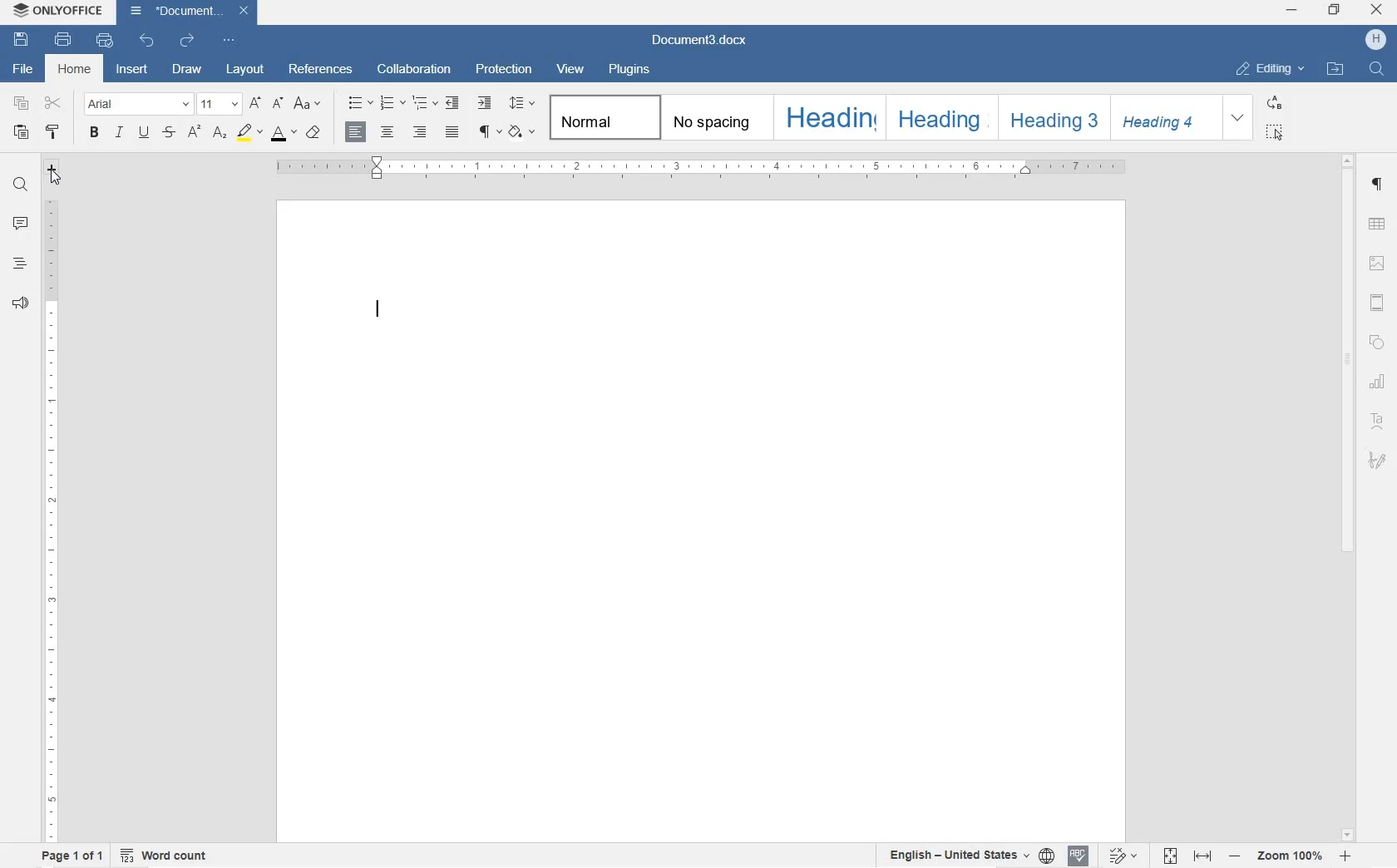  Describe the element at coordinates (230, 44) in the screenshot. I see `CUSTOMIZE QUICK ACCESS TOOLBAR` at that location.